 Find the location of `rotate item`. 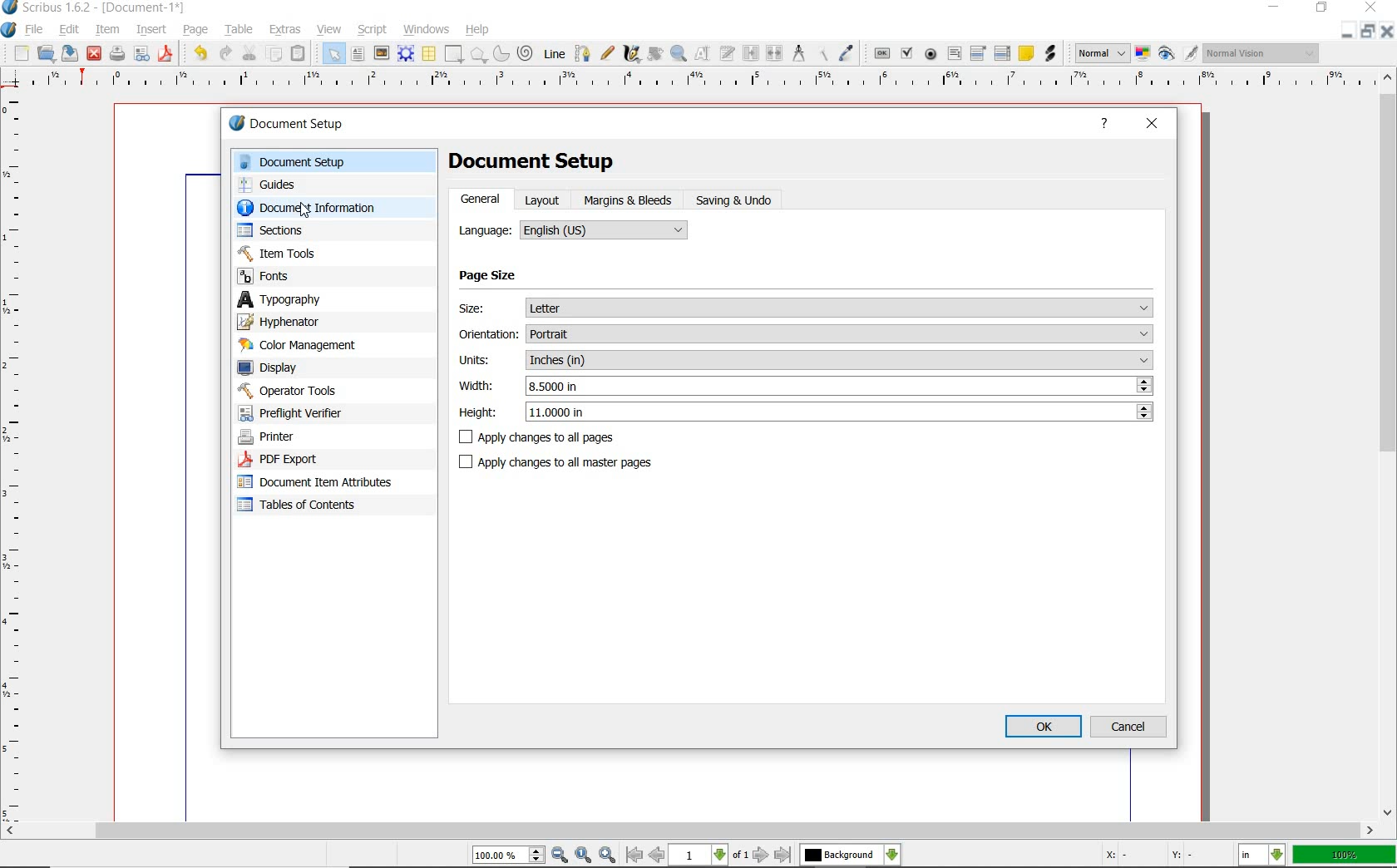

rotate item is located at coordinates (655, 55).